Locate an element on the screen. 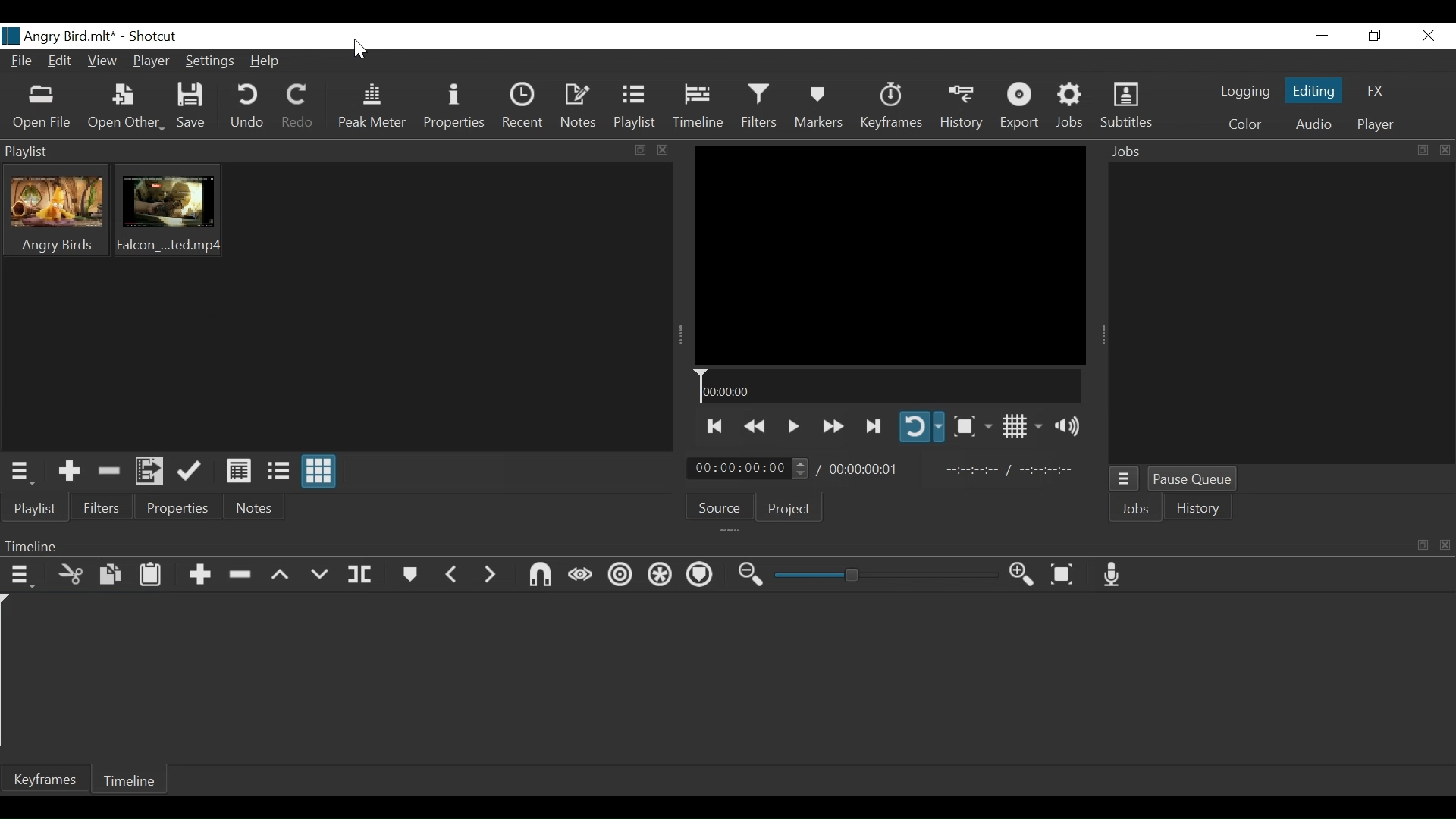 This screenshot has height=819, width=1456. Jobs menu is located at coordinates (1125, 479).